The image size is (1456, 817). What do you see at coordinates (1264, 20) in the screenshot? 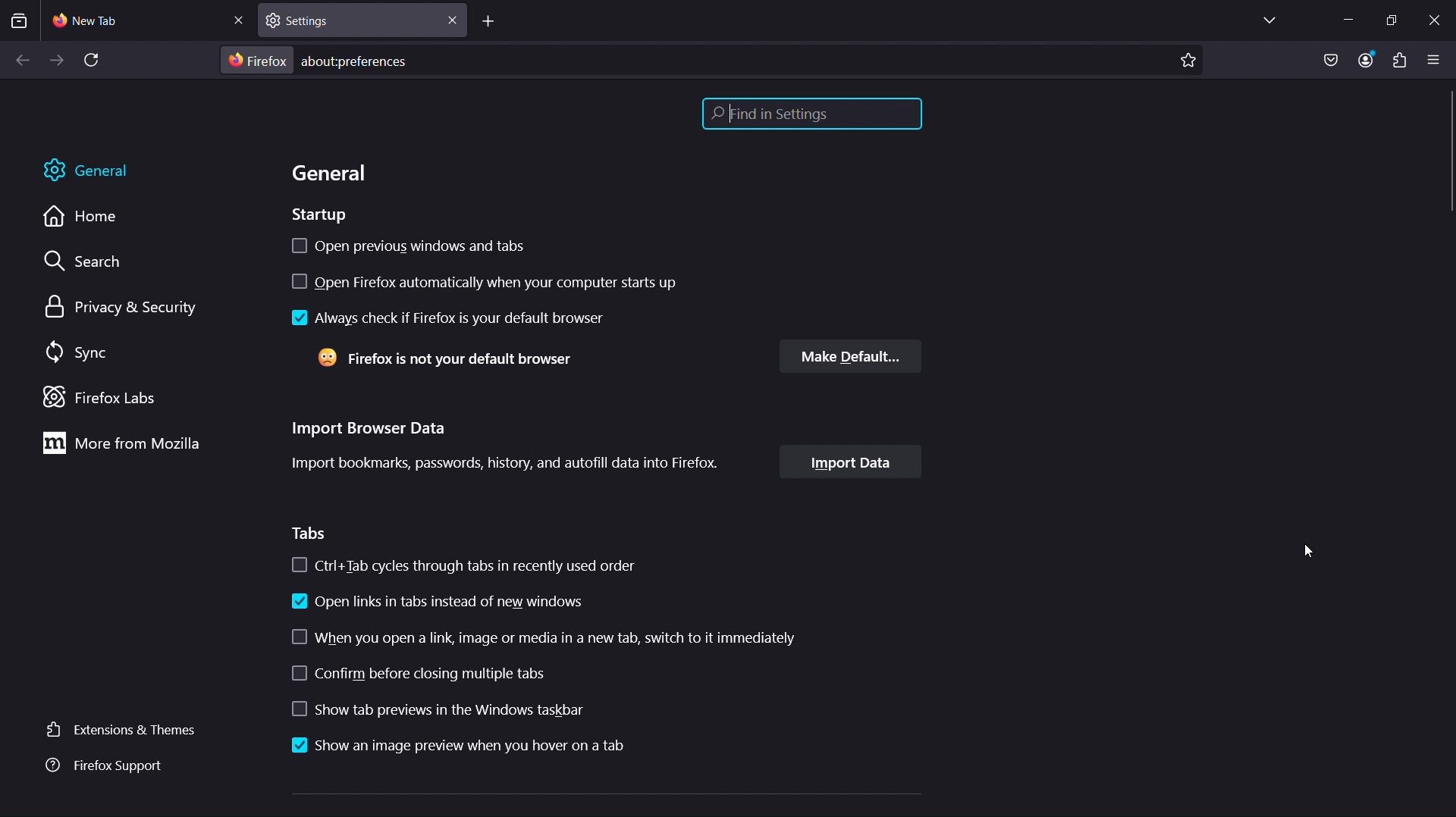
I see `List all tabs` at bounding box center [1264, 20].